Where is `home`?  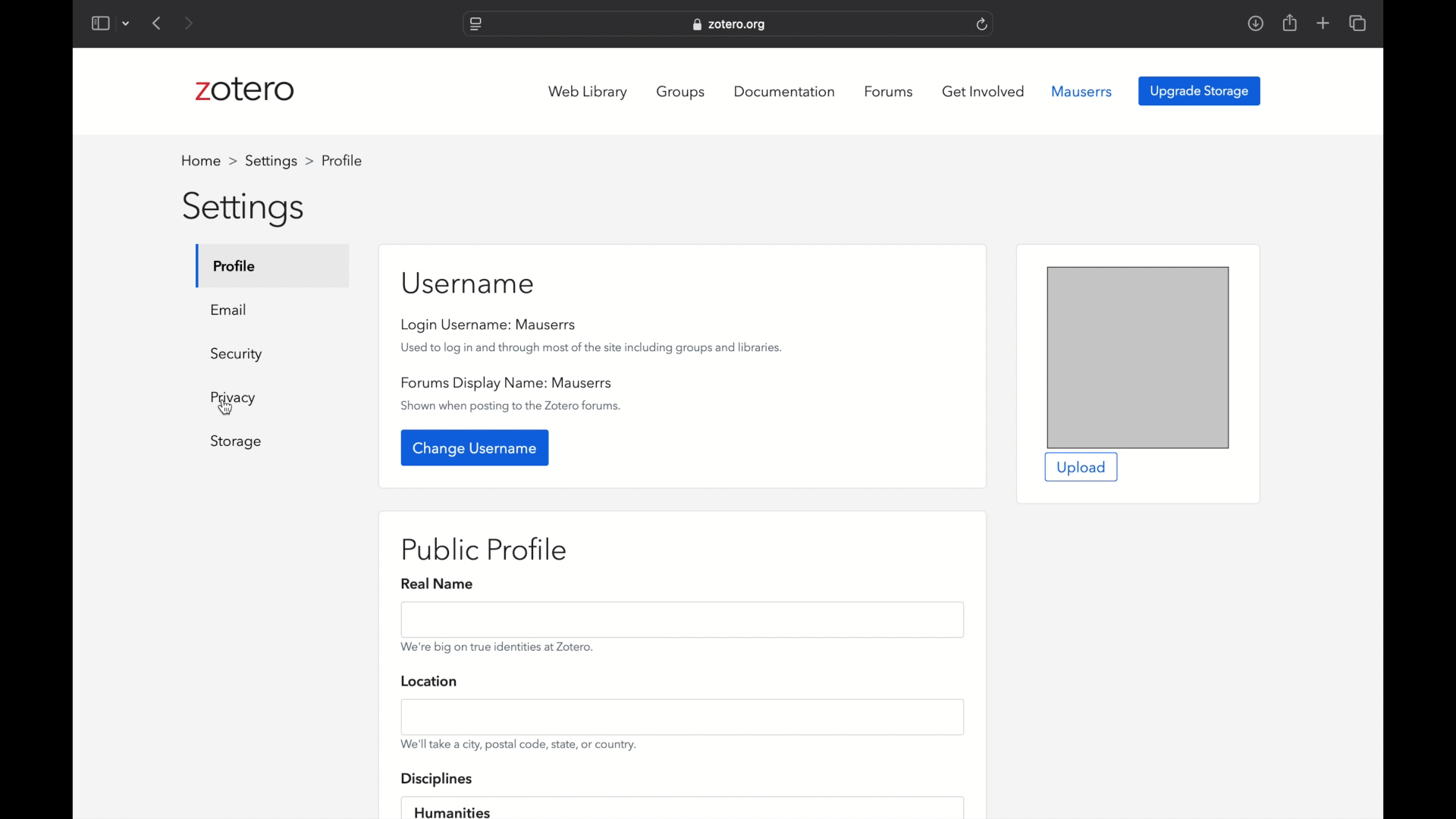
home is located at coordinates (209, 161).